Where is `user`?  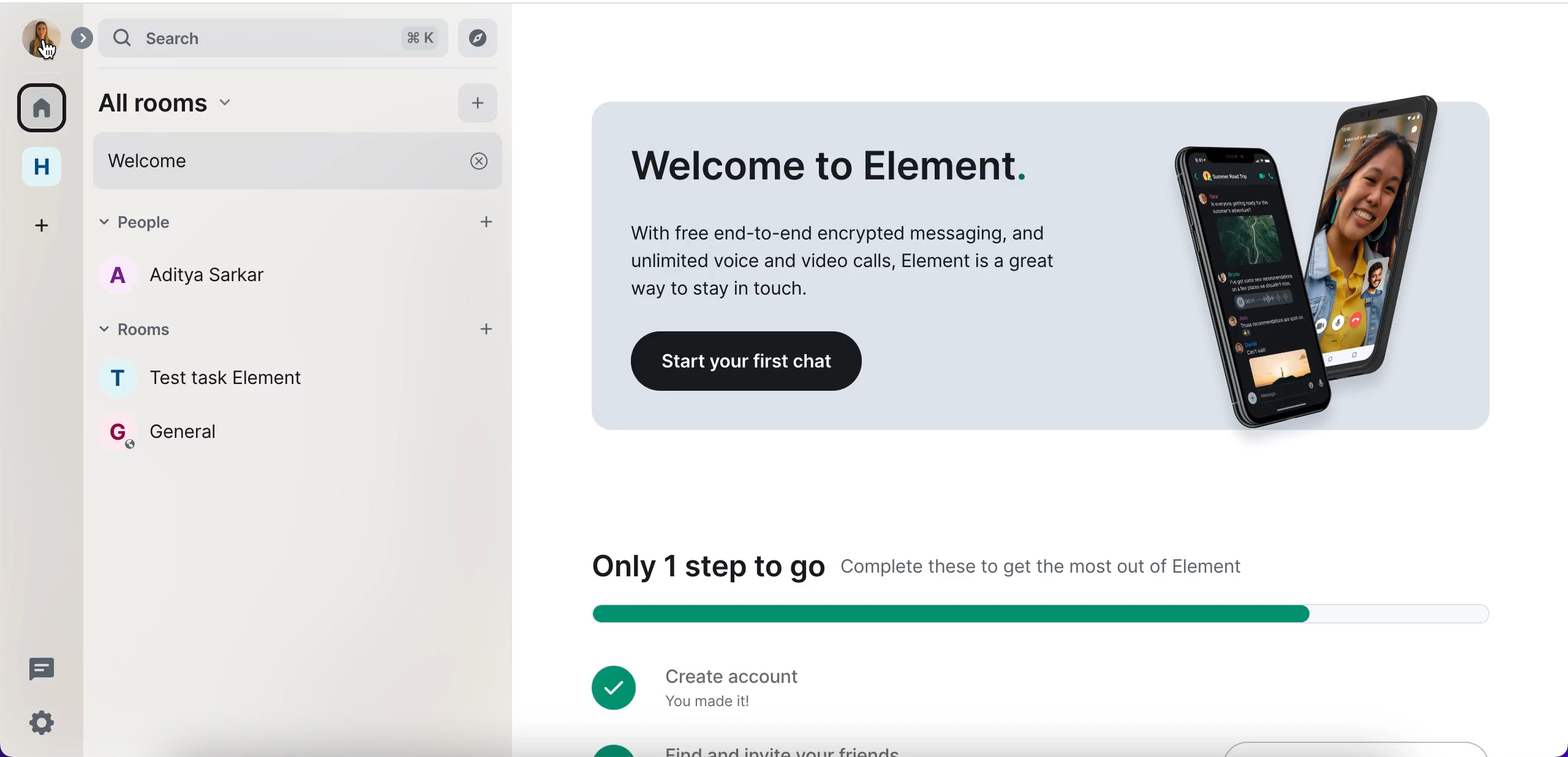
user is located at coordinates (42, 38).